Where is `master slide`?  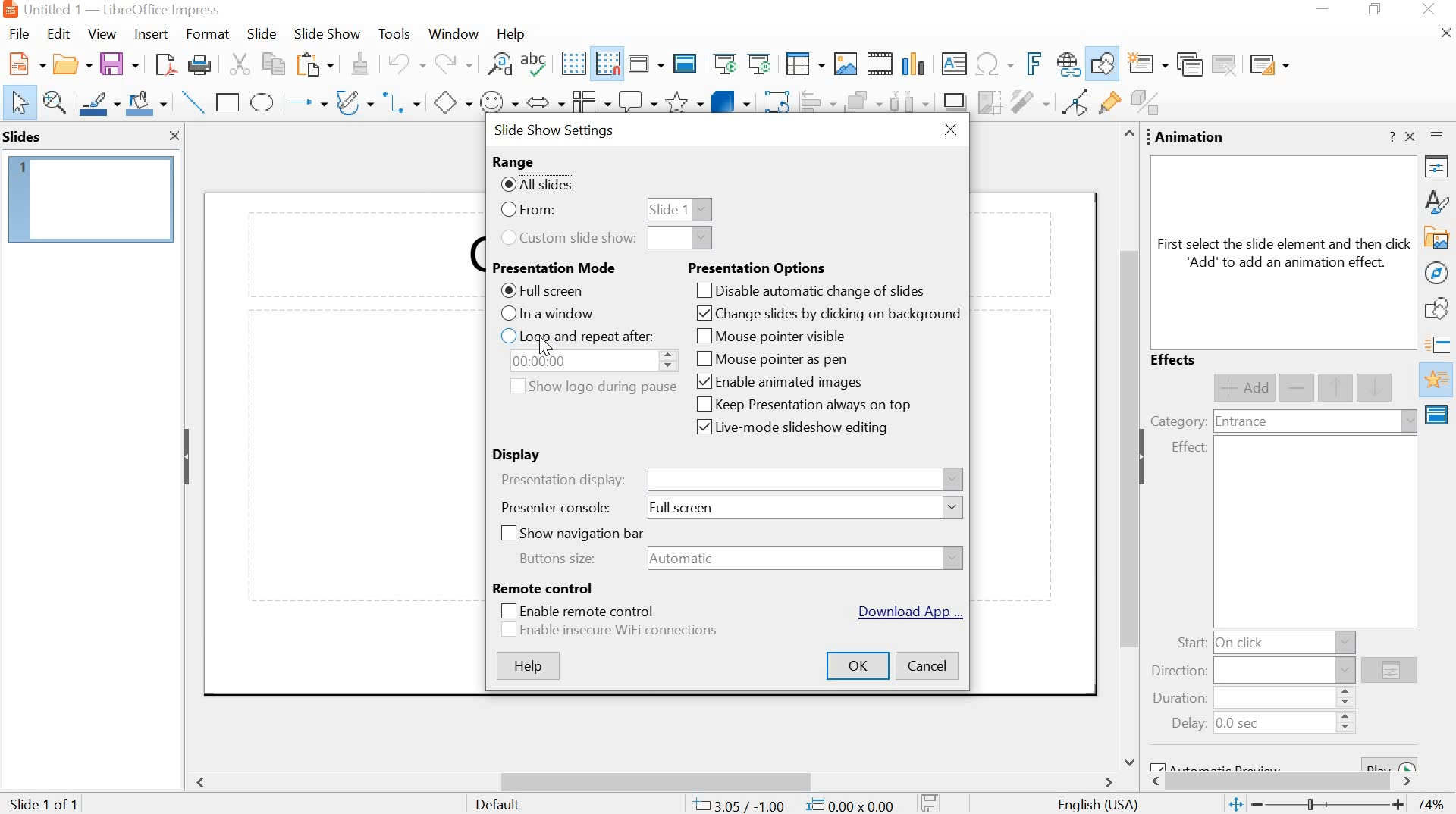
master slide is located at coordinates (685, 64).